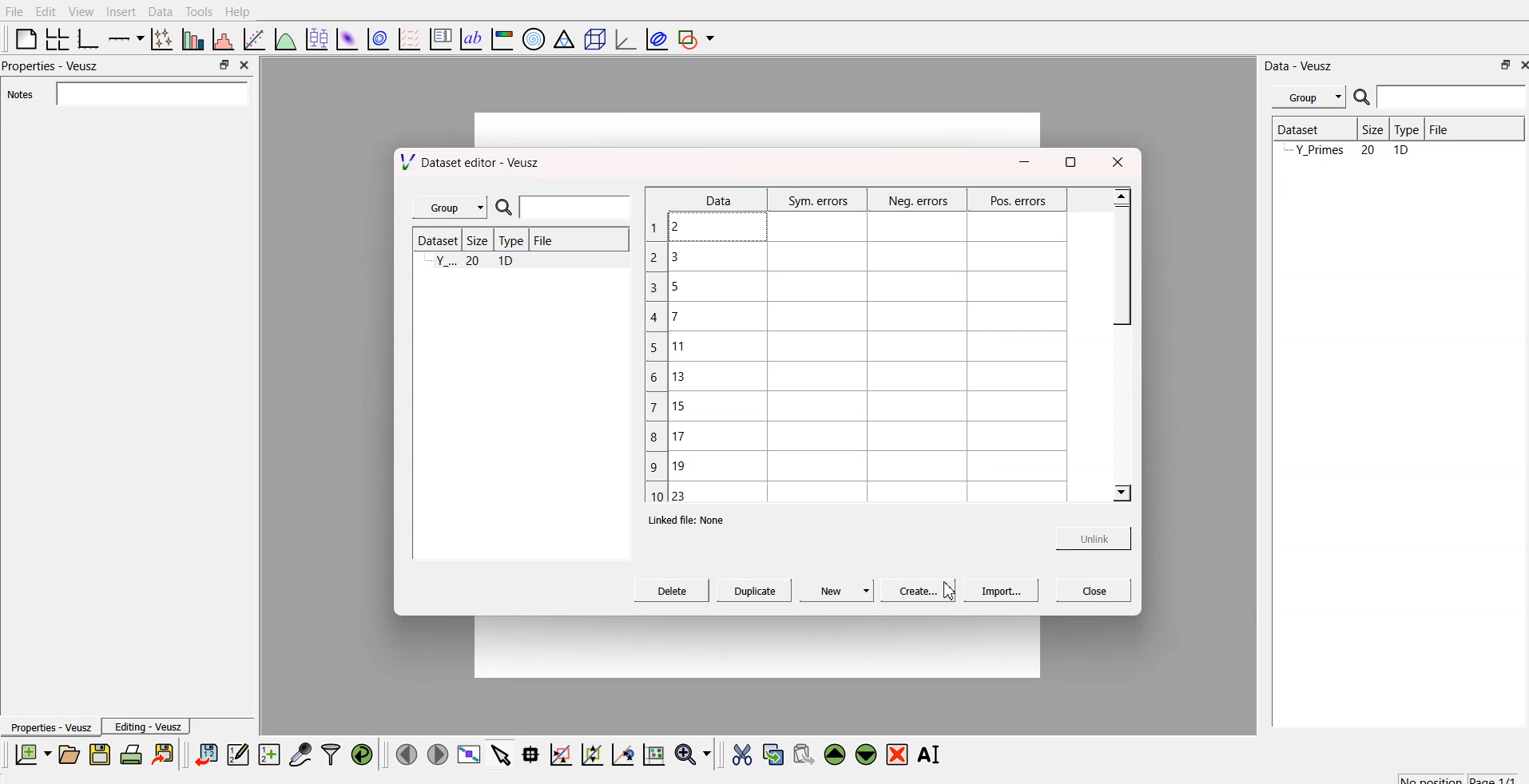  What do you see at coordinates (150, 727) in the screenshot?
I see `Editing - Veusz` at bounding box center [150, 727].